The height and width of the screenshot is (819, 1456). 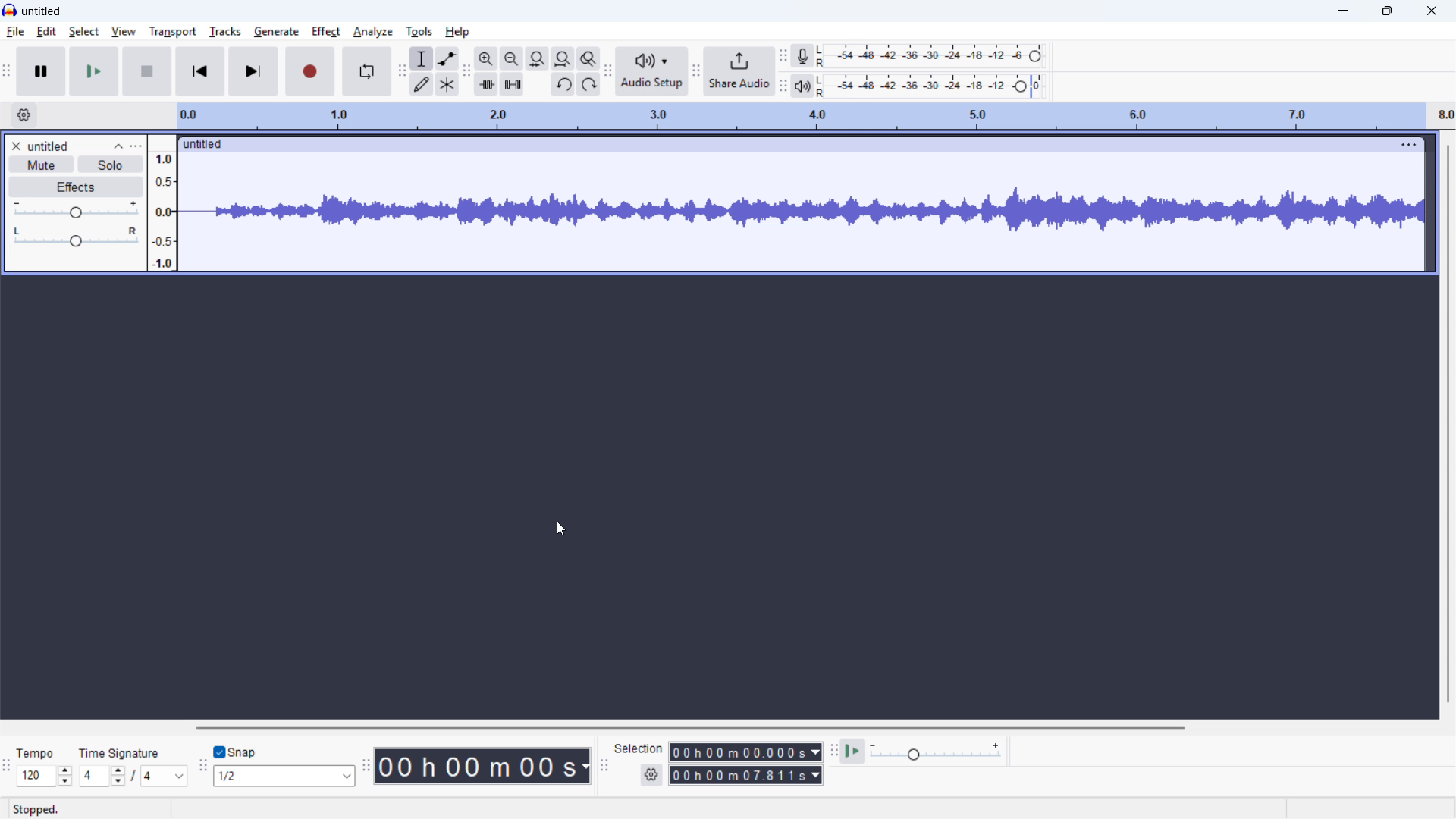 I want to click on play, so click(x=94, y=72).